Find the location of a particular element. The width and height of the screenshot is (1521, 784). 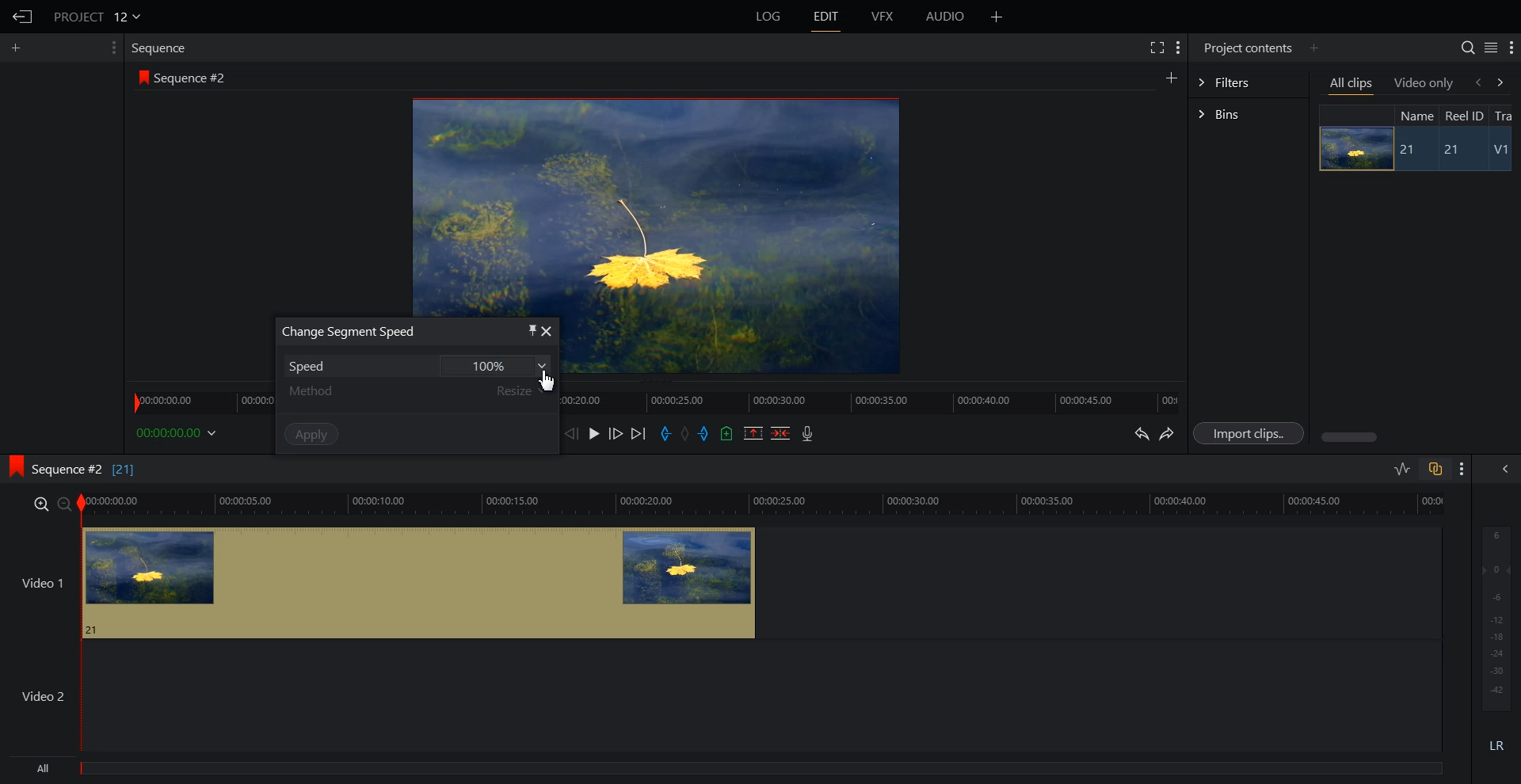

Speed is located at coordinates (318, 365).